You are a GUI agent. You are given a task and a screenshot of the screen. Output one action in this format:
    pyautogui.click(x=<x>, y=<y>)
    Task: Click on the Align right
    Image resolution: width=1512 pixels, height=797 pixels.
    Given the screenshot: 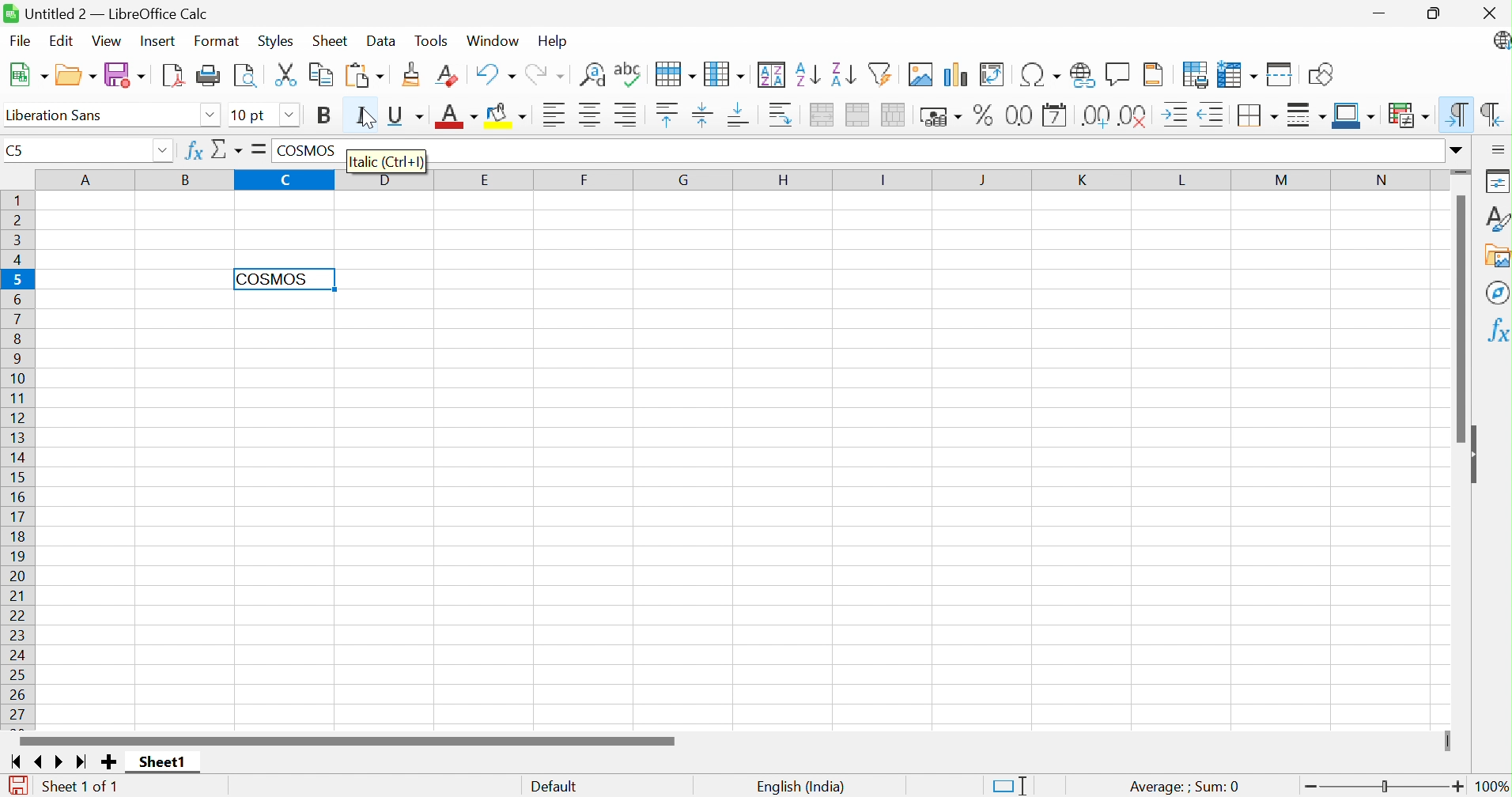 What is the action you would take?
    pyautogui.click(x=556, y=114)
    